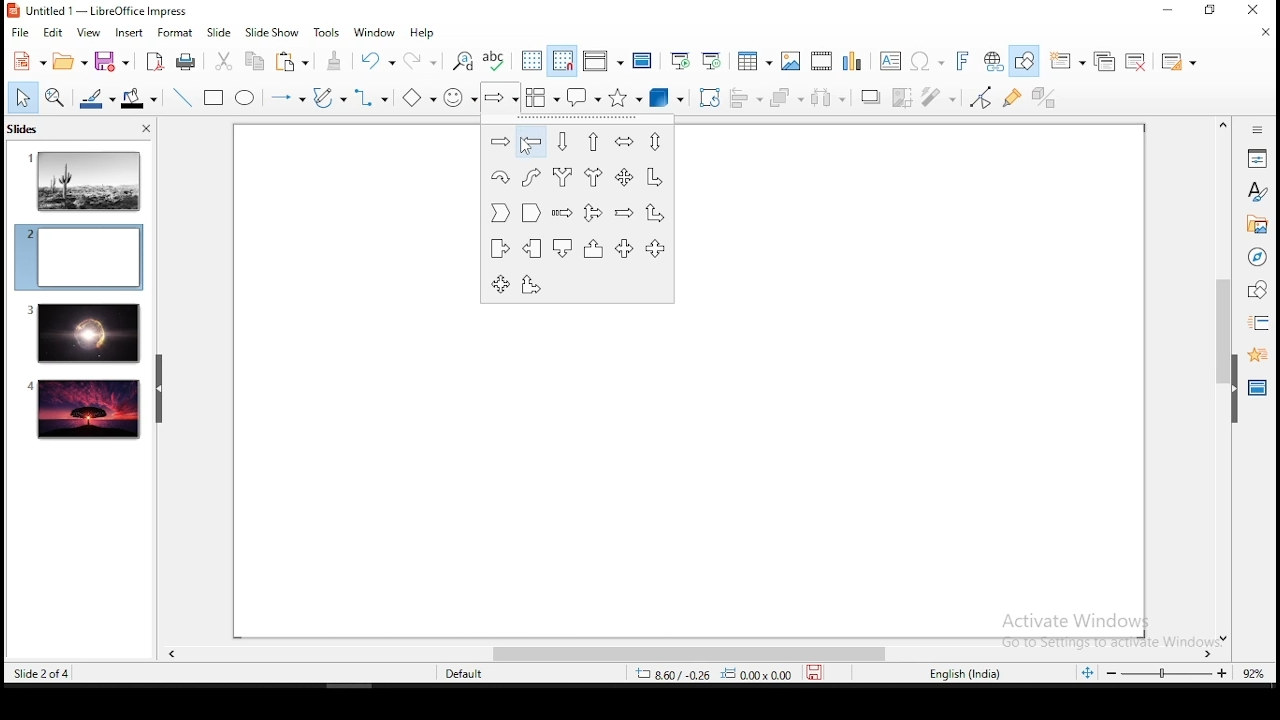 The height and width of the screenshot is (720, 1280). What do you see at coordinates (623, 141) in the screenshot?
I see `left right arrow` at bounding box center [623, 141].